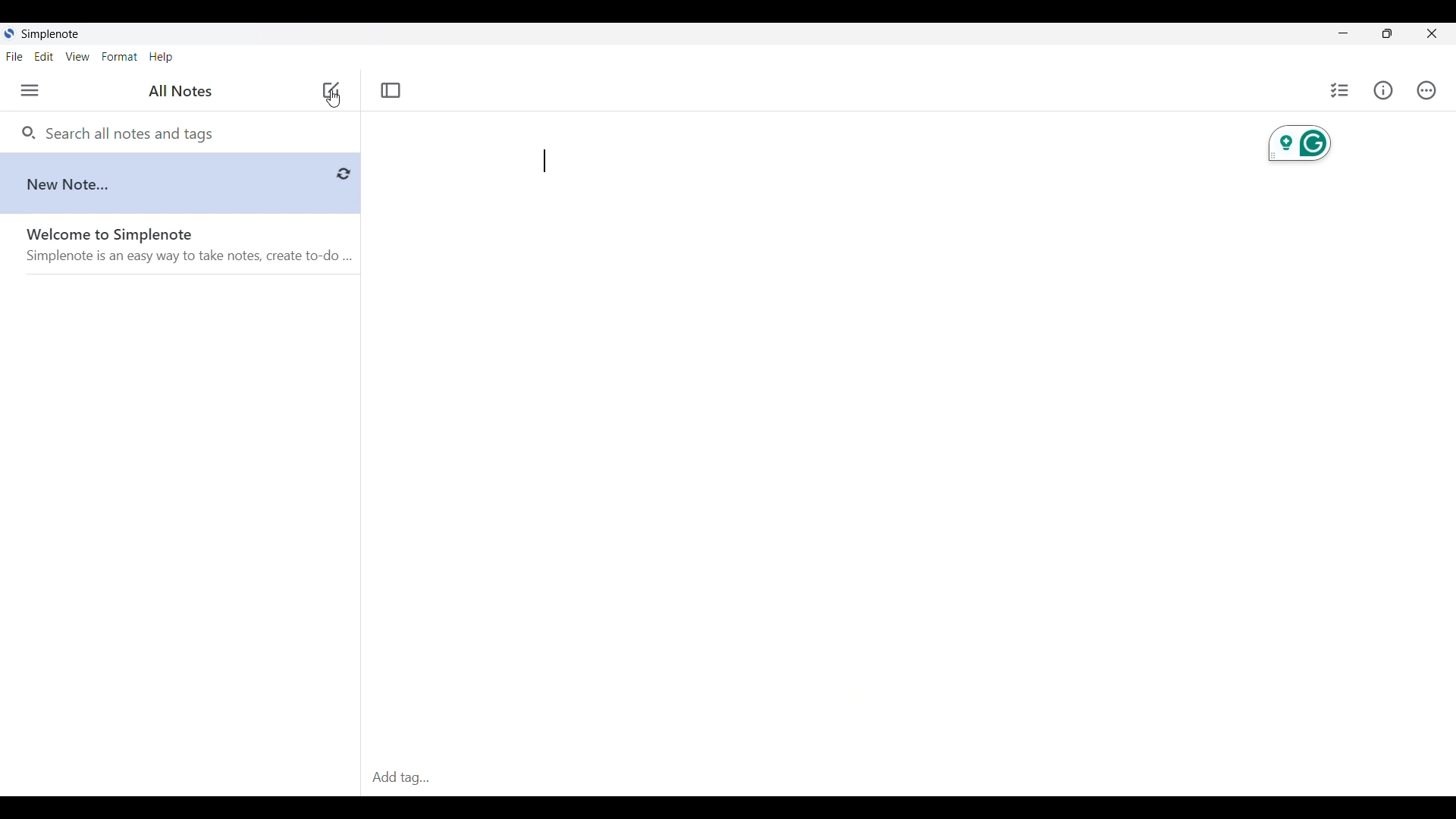 The width and height of the screenshot is (1456, 819). I want to click on Menu, so click(30, 90).